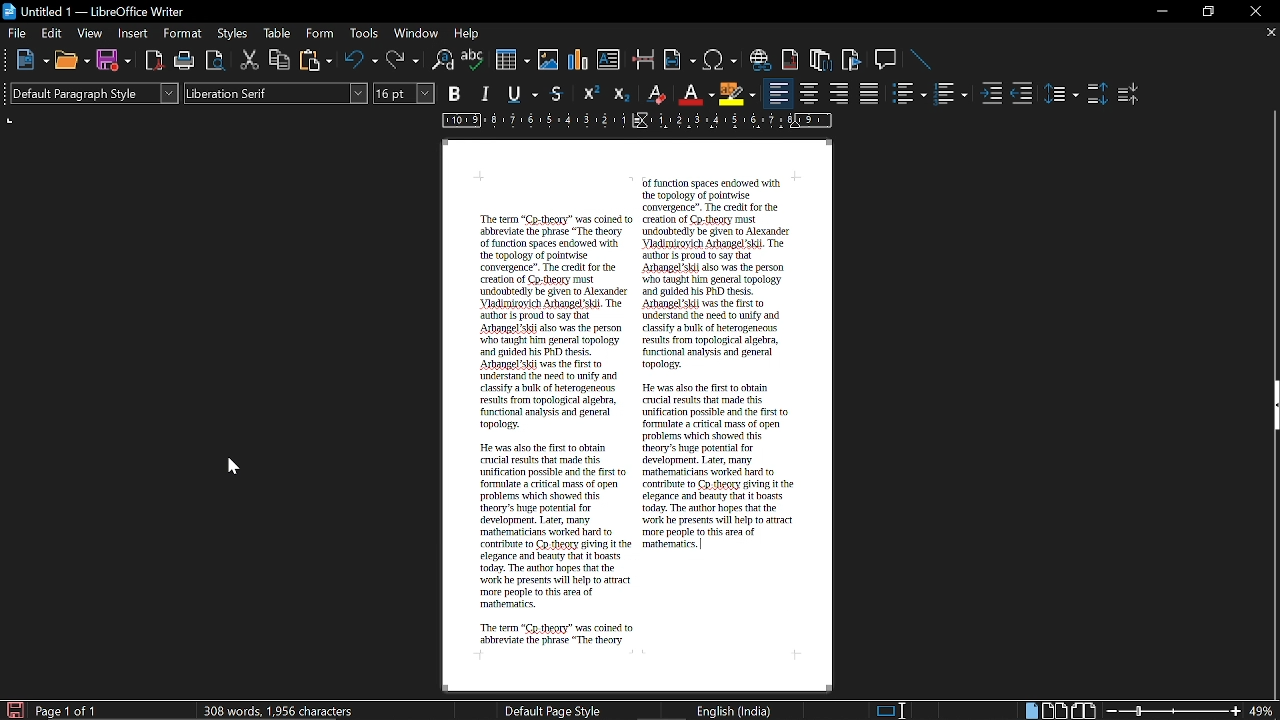  What do you see at coordinates (951, 93) in the screenshot?
I see `Toggle ordered list` at bounding box center [951, 93].